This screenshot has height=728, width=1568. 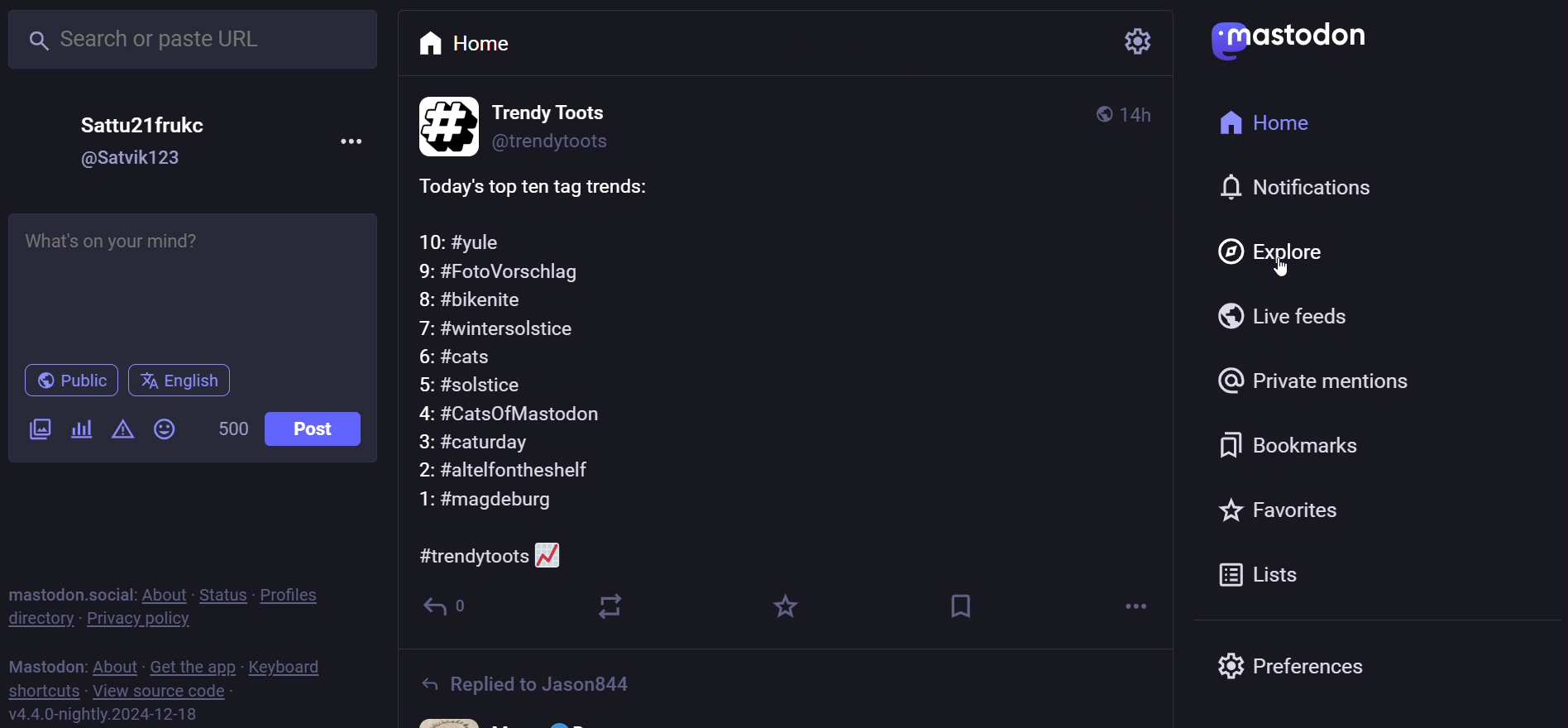 I want to click on boost, so click(x=613, y=612).